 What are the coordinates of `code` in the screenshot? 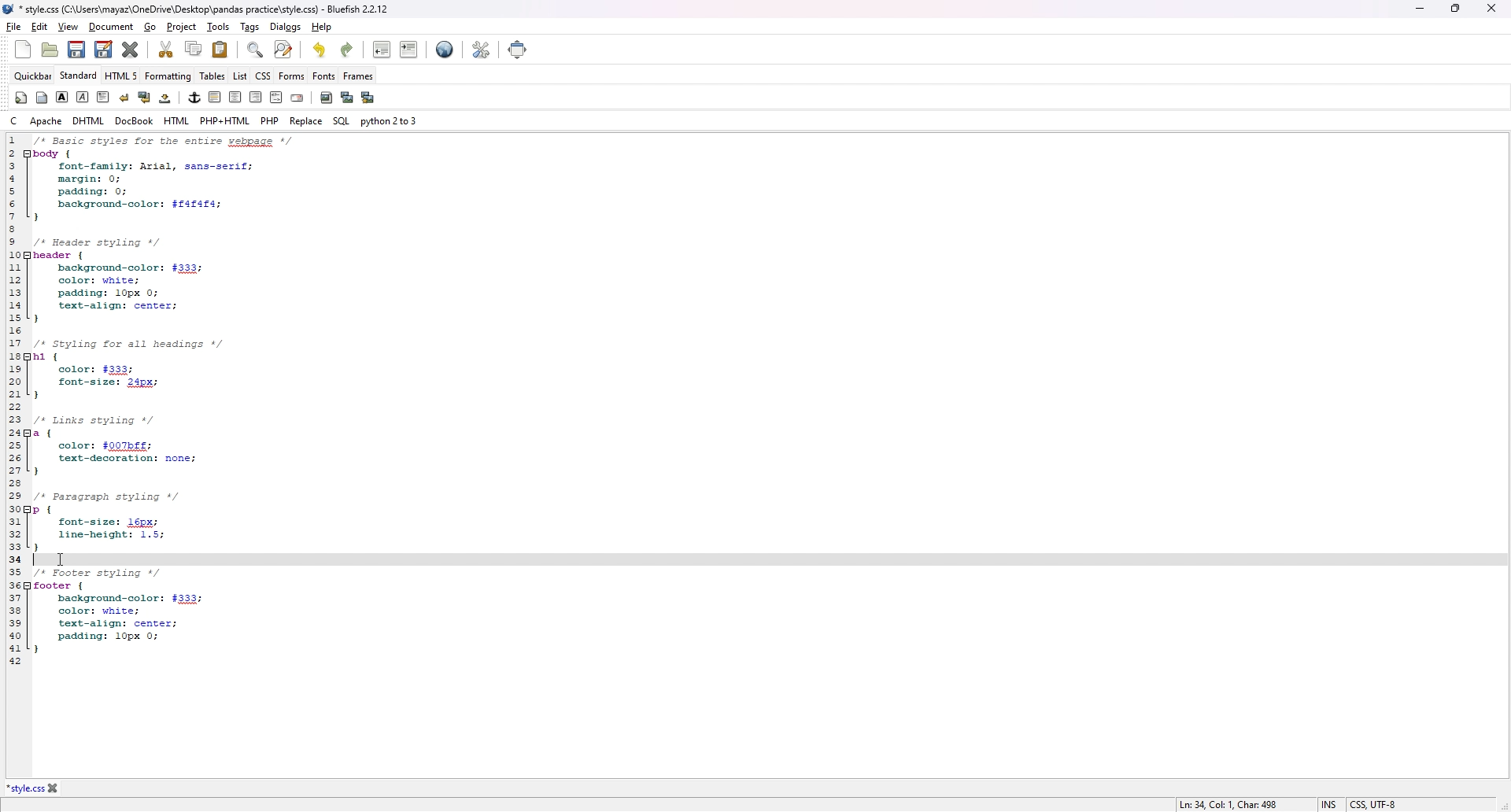 It's located at (197, 398).